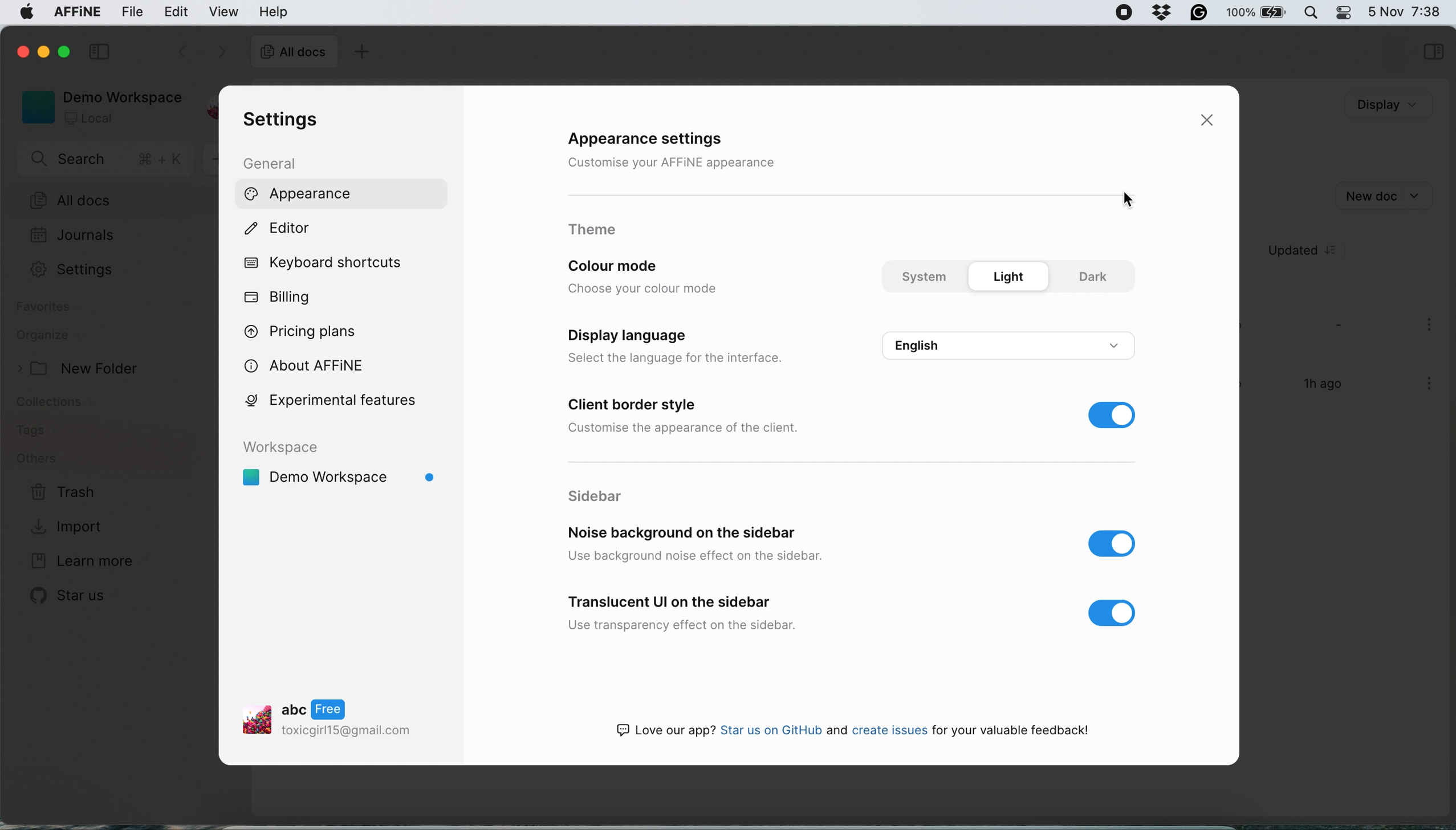 The width and height of the screenshot is (1456, 830). Describe the element at coordinates (671, 601) in the screenshot. I see `translucent ui on the sidebar` at that location.